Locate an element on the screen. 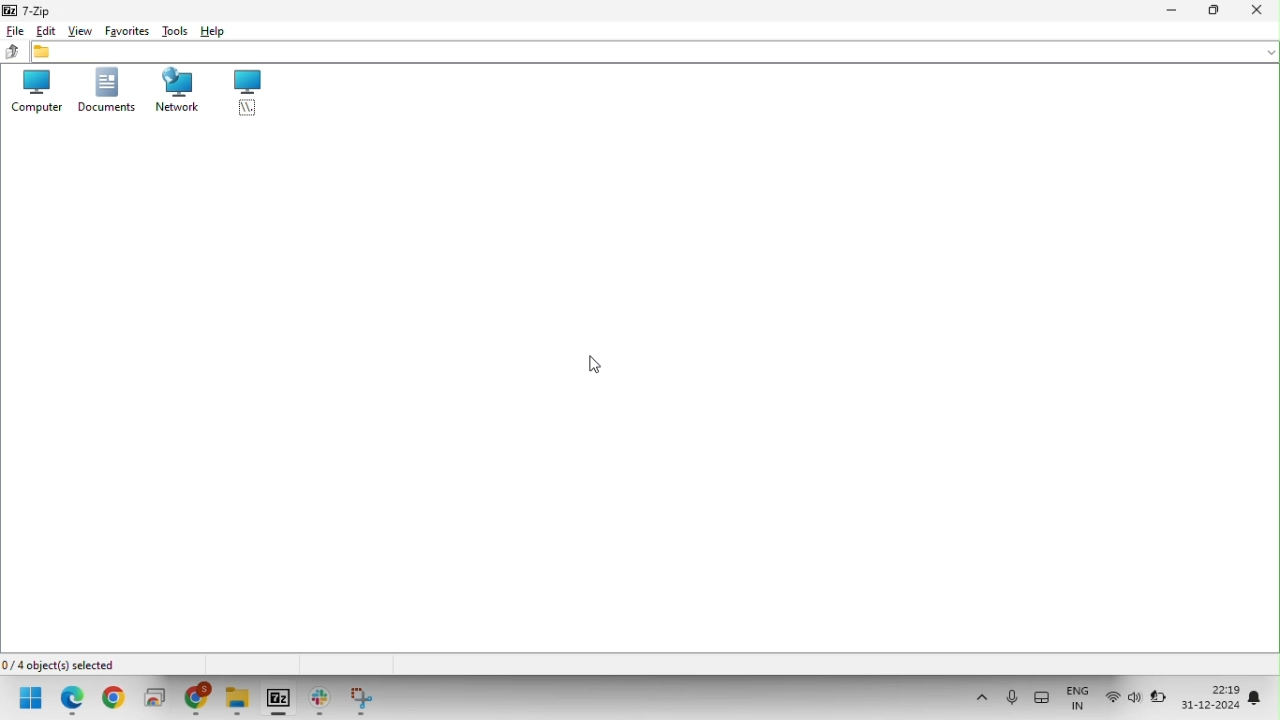  Network is located at coordinates (171, 92).